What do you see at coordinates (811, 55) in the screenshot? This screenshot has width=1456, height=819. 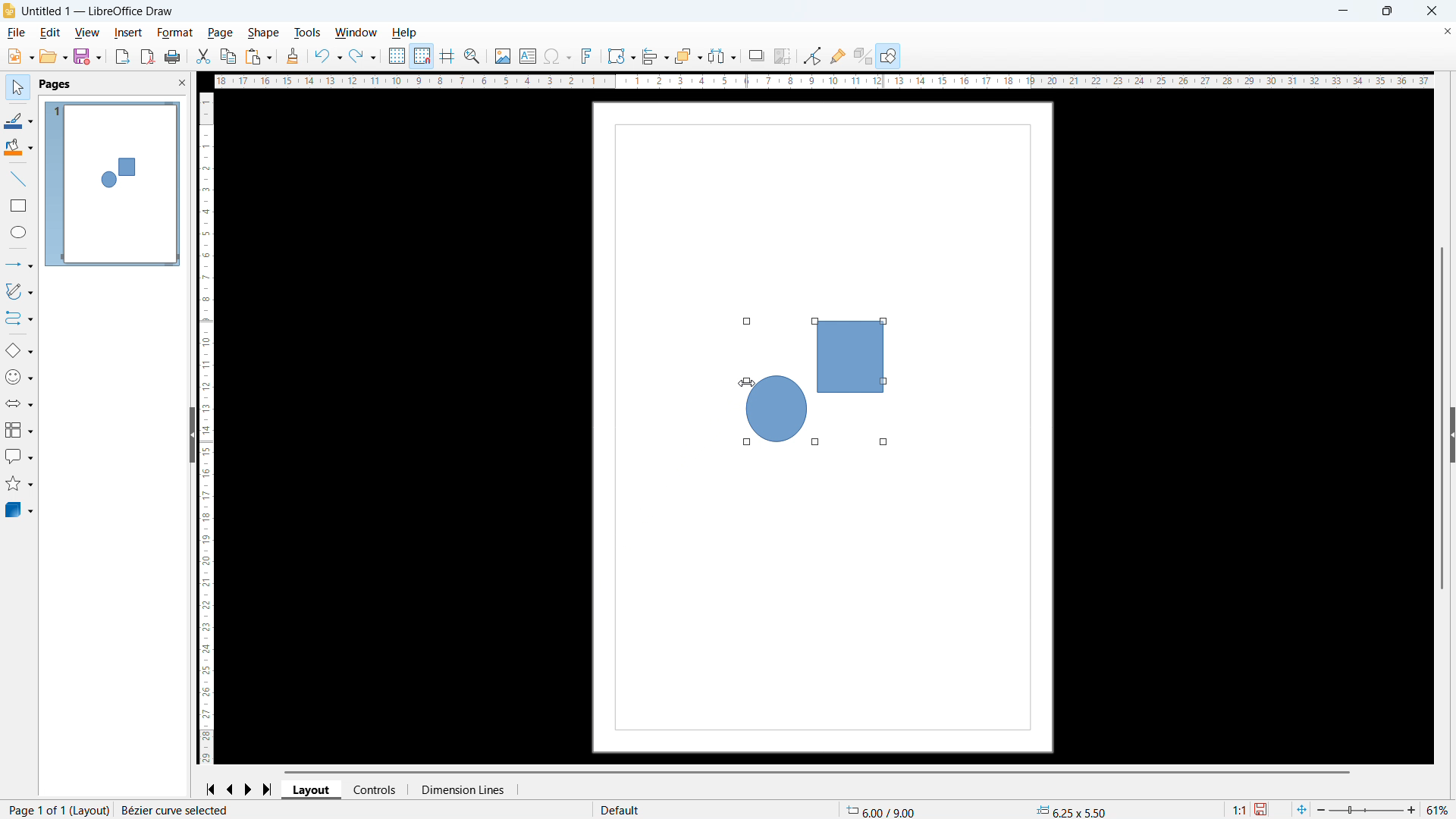 I see `Toggle point edit mode ` at bounding box center [811, 55].